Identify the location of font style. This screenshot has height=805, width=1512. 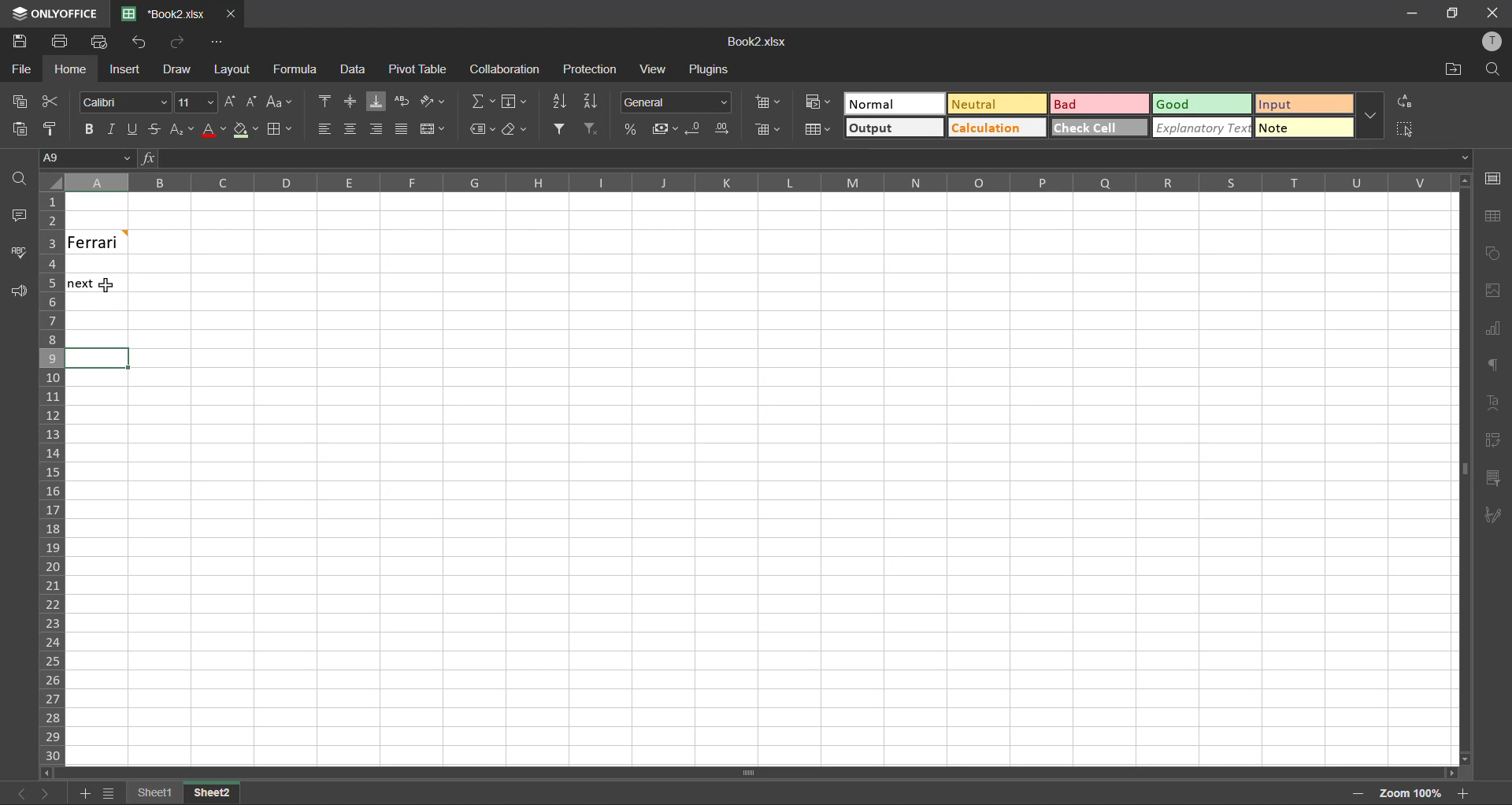
(127, 103).